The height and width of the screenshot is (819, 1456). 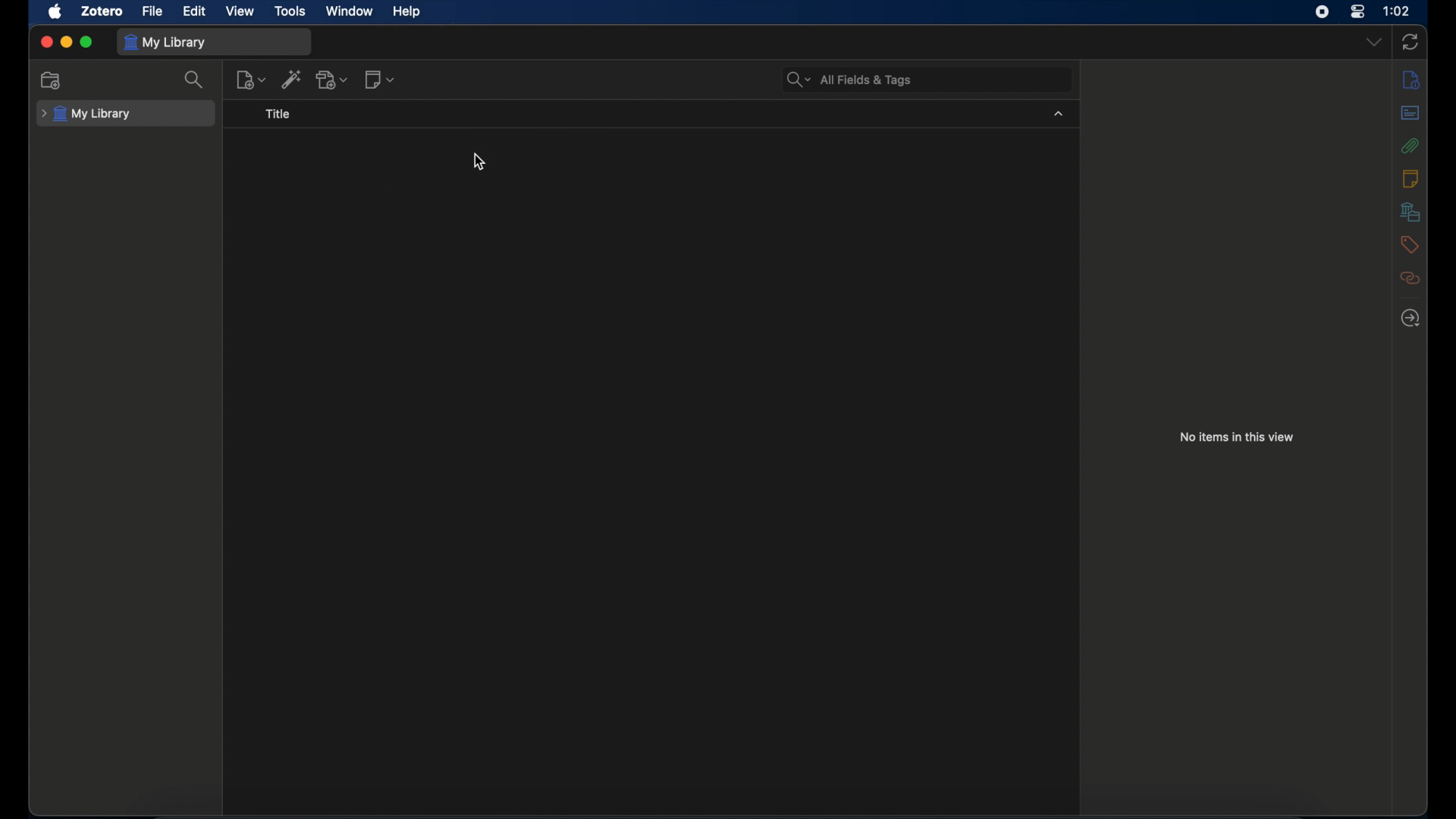 I want to click on my library, so click(x=86, y=115).